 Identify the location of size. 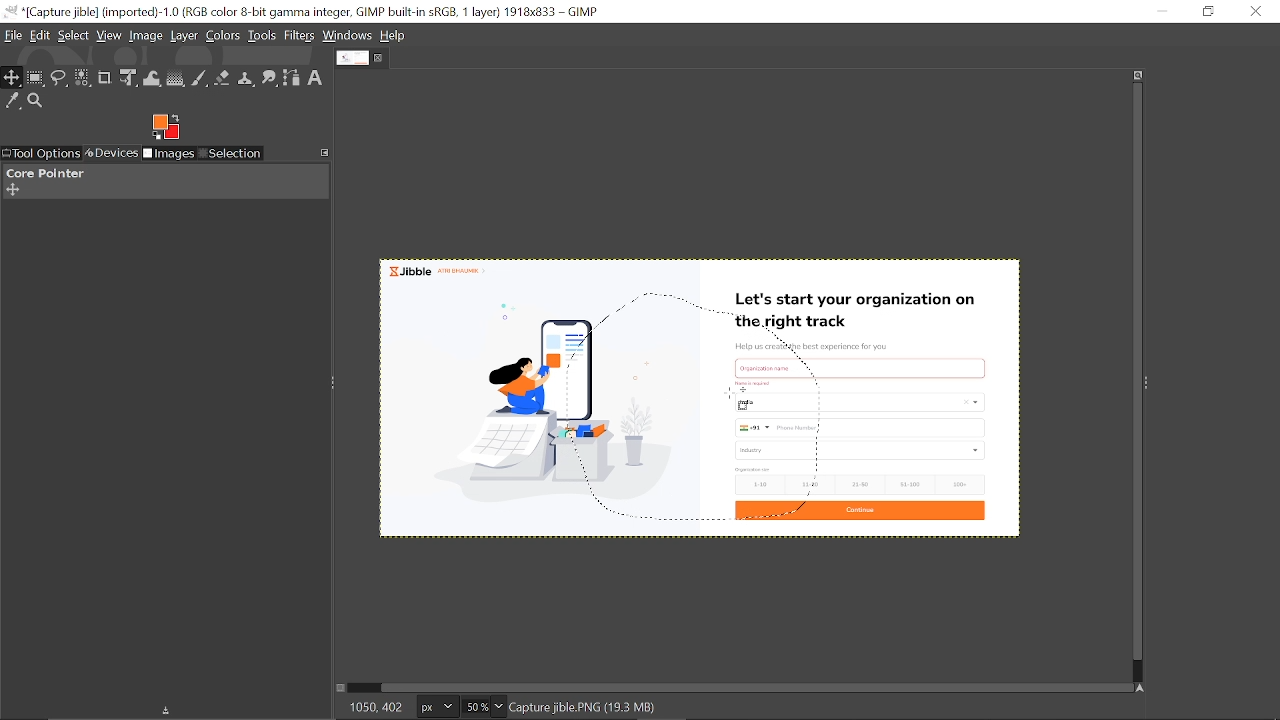
(754, 469).